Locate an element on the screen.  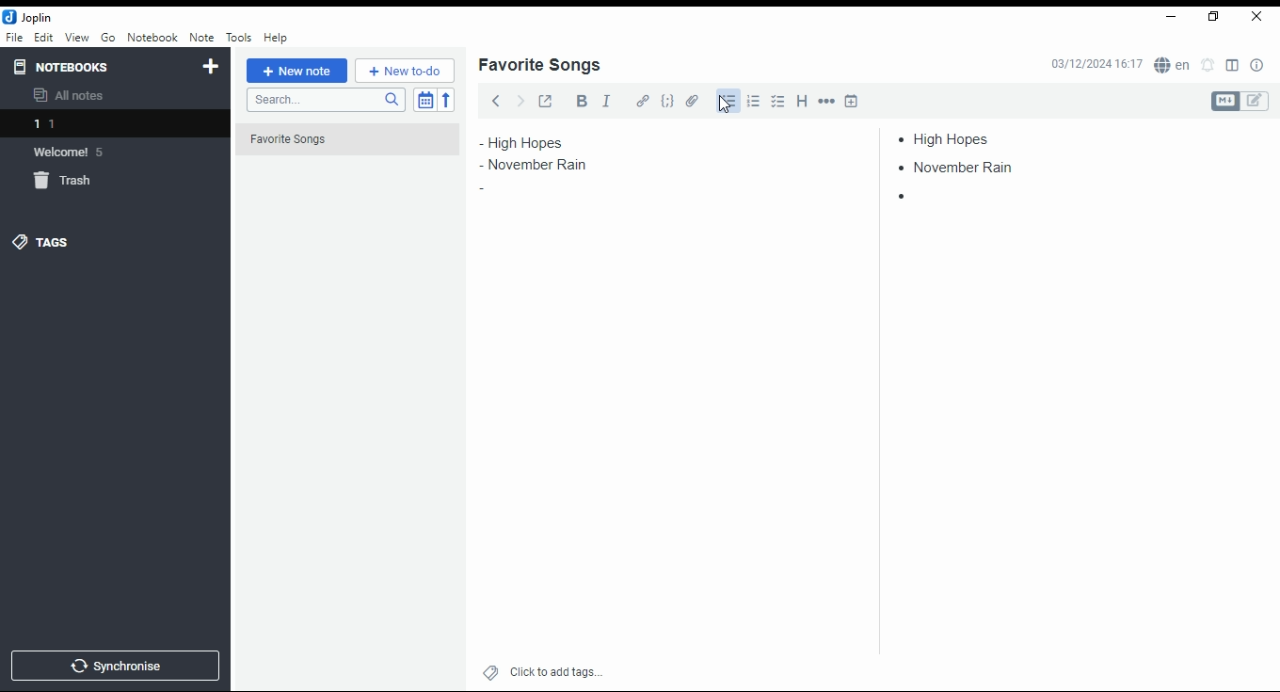
new notebook is located at coordinates (211, 67).